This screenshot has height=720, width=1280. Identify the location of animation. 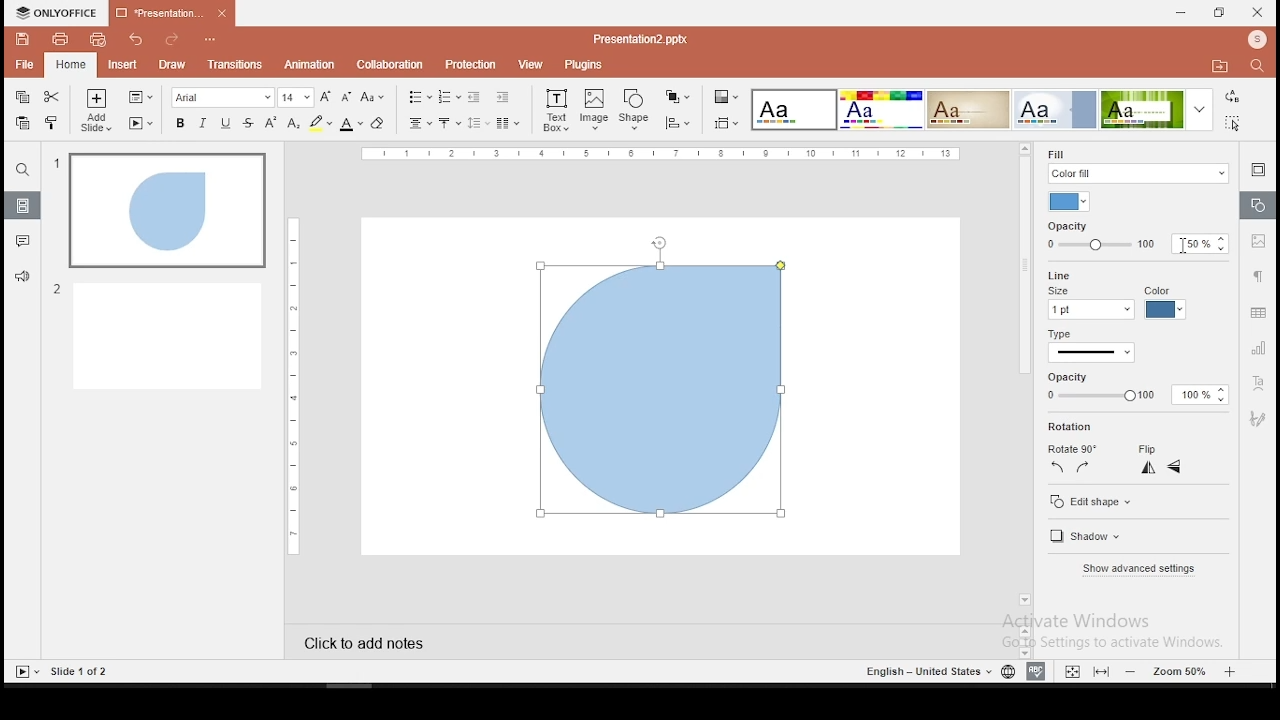
(311, 64).